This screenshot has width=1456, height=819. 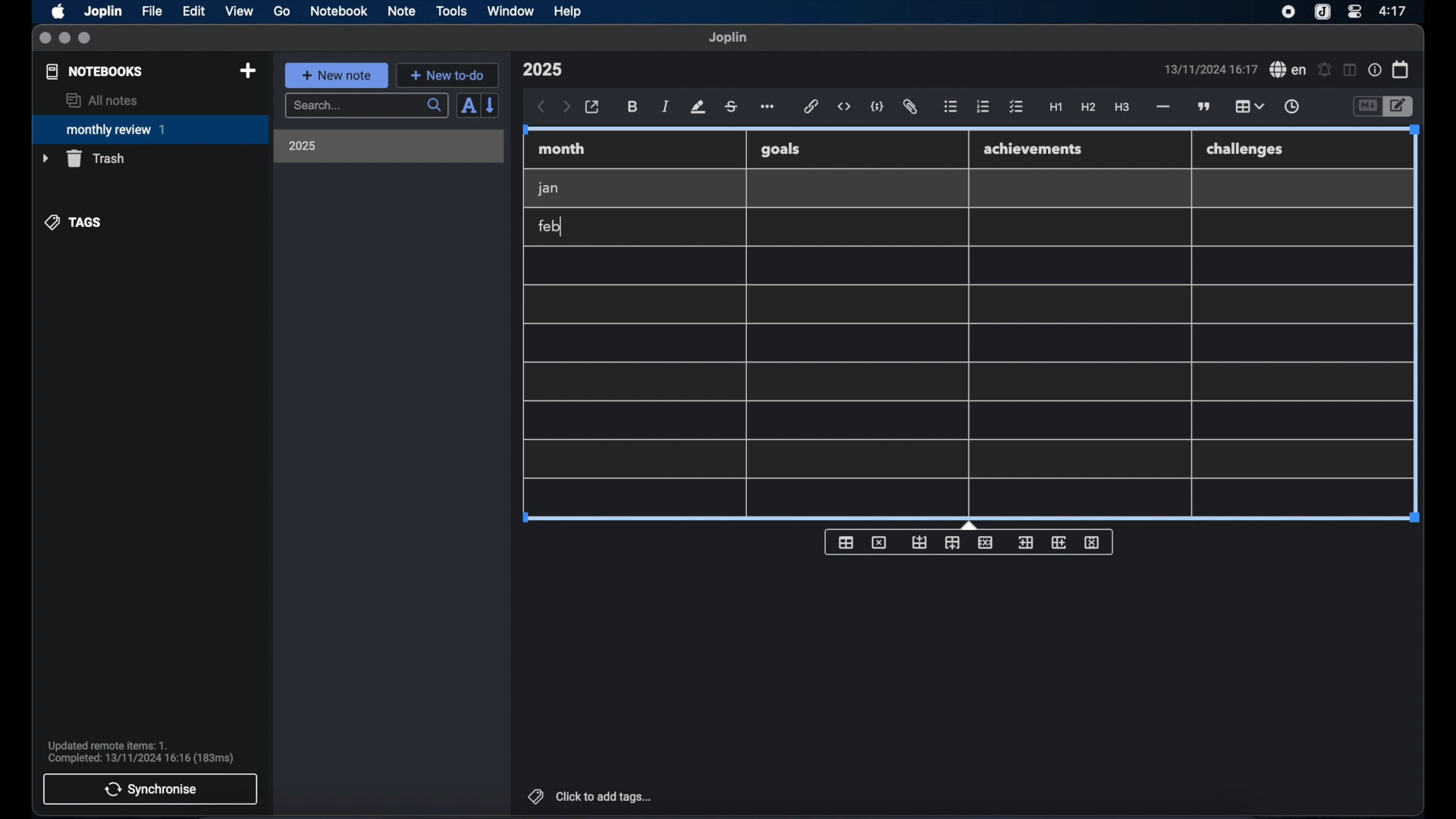 What do you see at coordinates (551, 226) in the screenshot?
I see `feb` at bounding box center [551, 226].